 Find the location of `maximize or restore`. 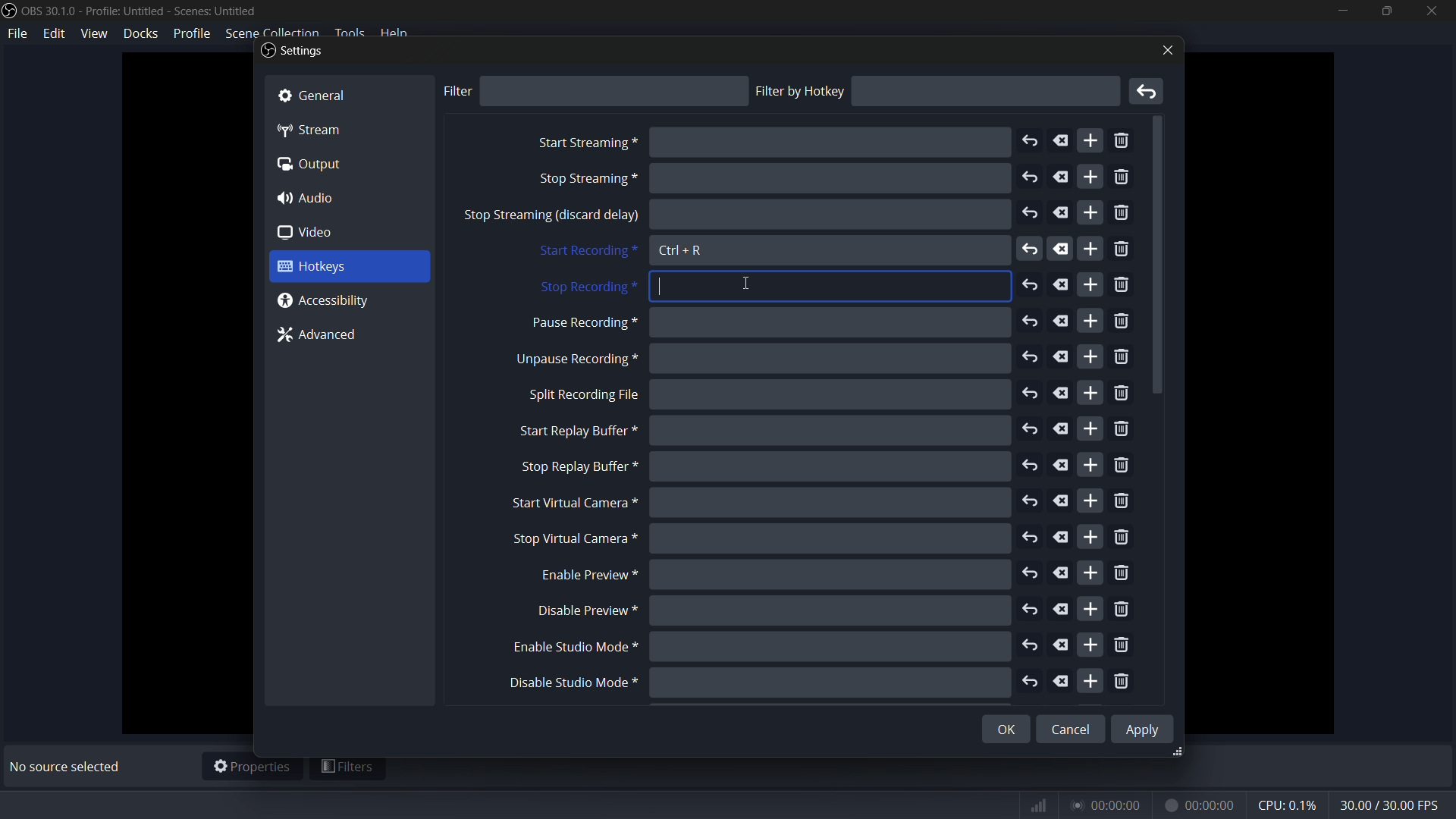

maximize or restore is located at coordinates (1385, 11).